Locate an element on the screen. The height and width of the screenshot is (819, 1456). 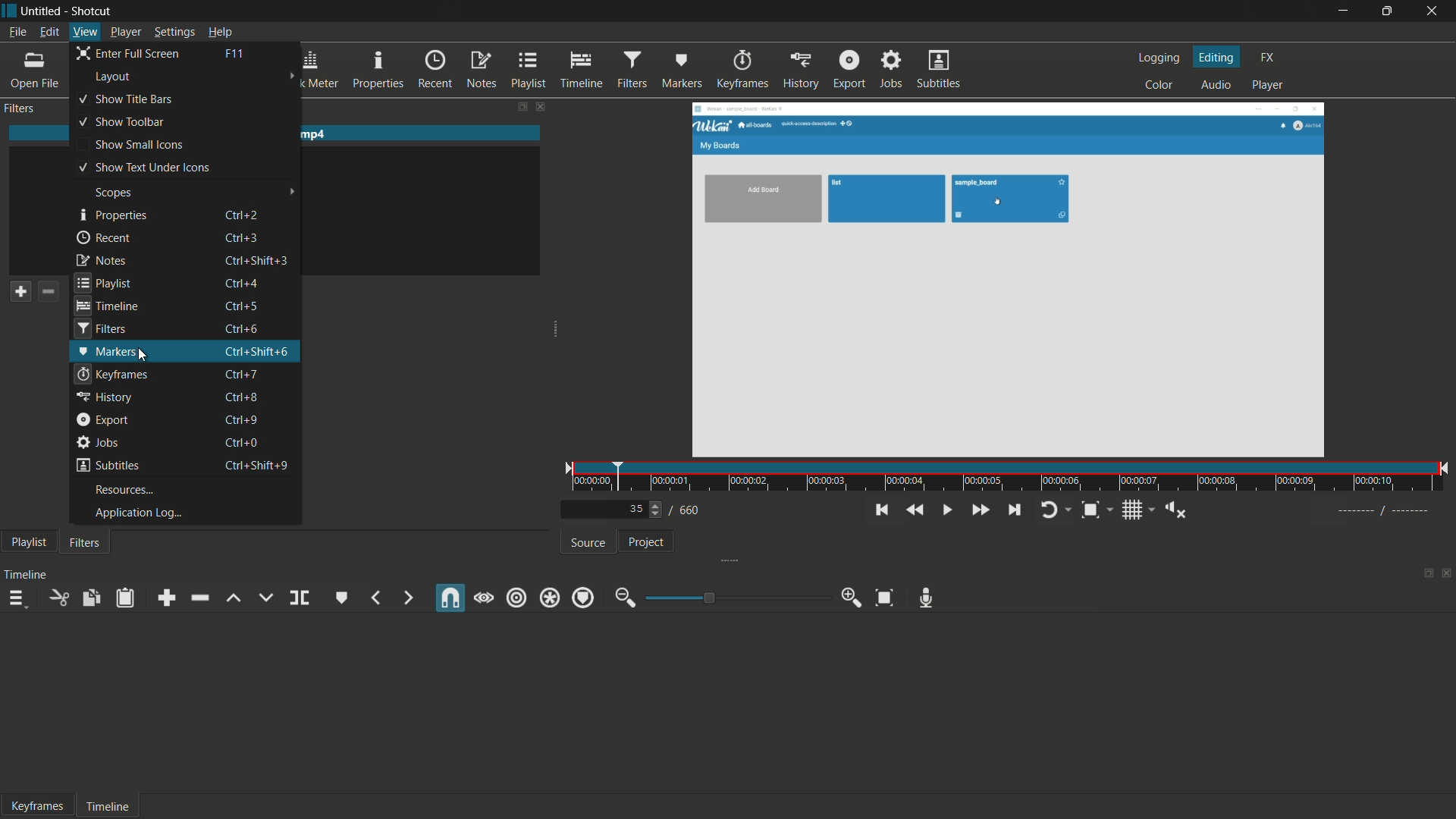
settings menu is located at coordinates (174, 32).